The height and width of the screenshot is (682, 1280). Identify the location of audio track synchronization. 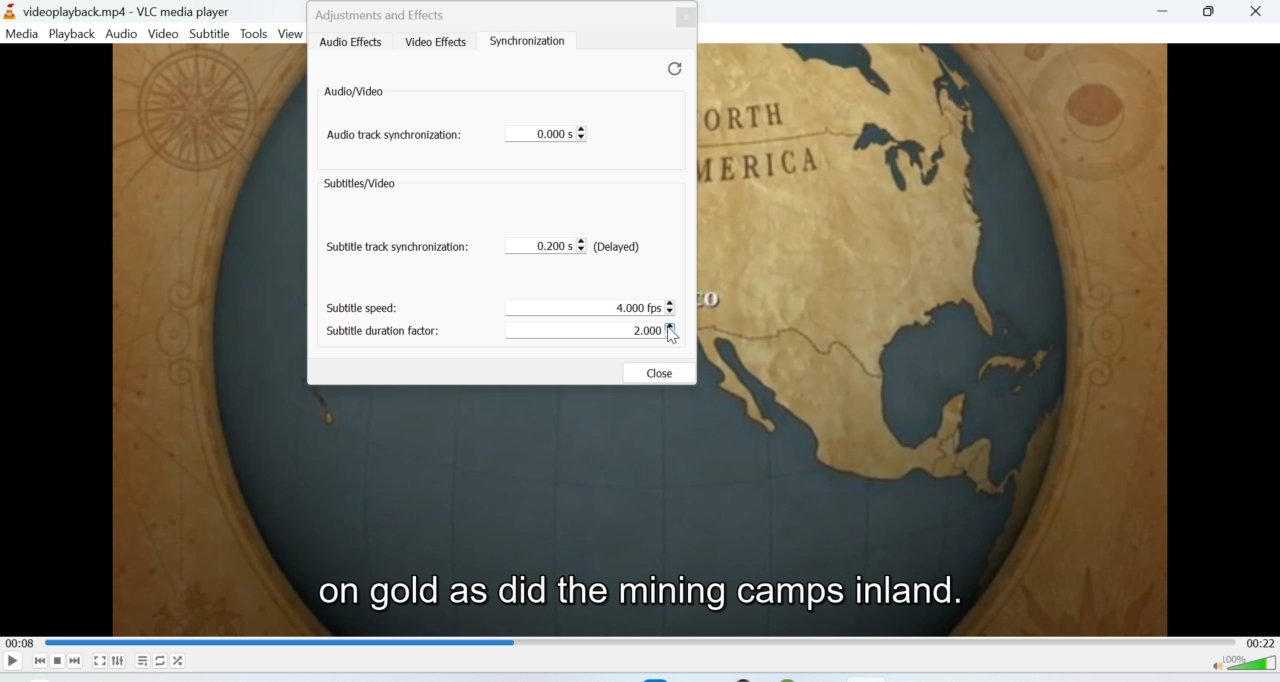
(395, 139).